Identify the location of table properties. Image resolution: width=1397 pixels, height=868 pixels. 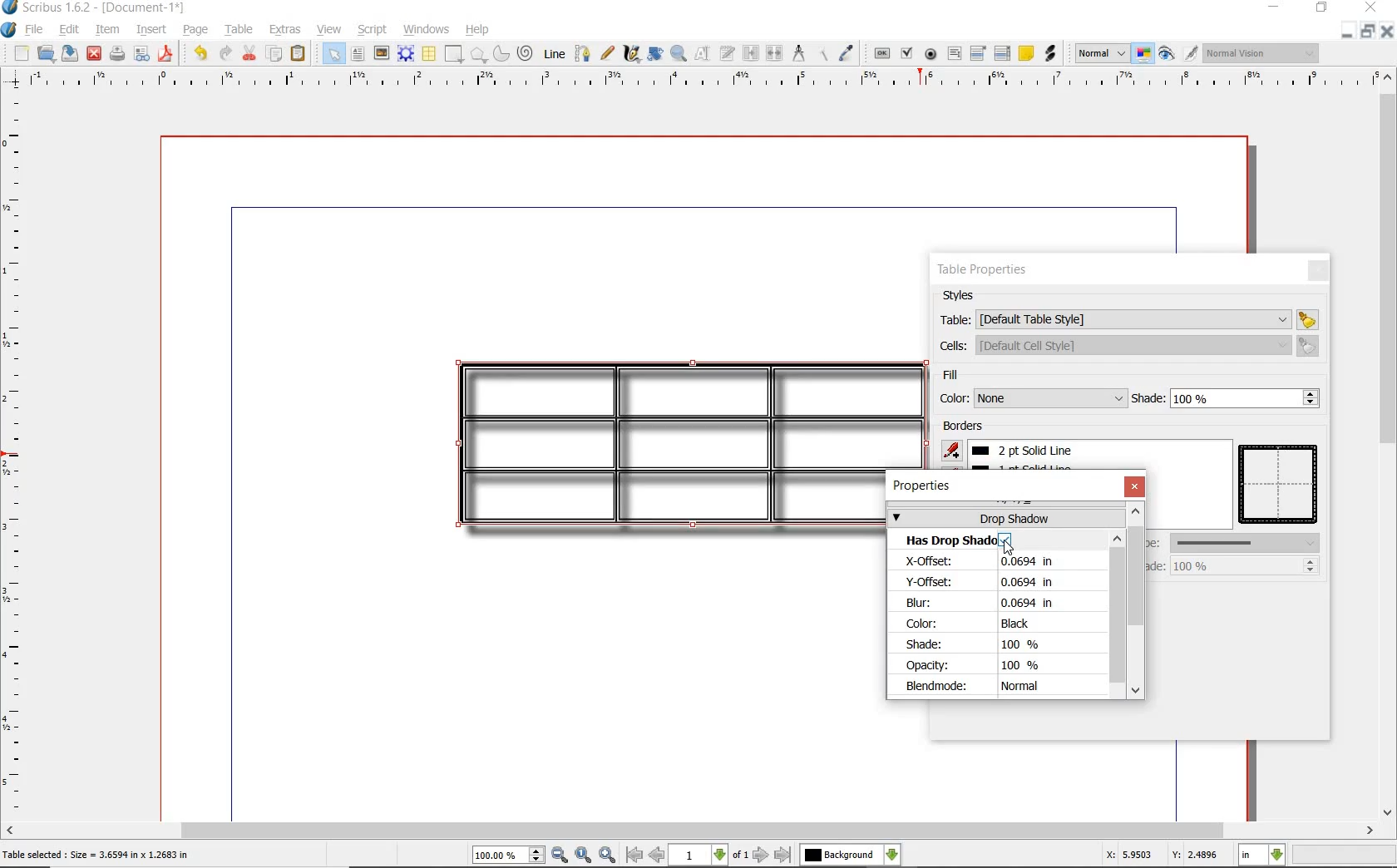
(984, 272).